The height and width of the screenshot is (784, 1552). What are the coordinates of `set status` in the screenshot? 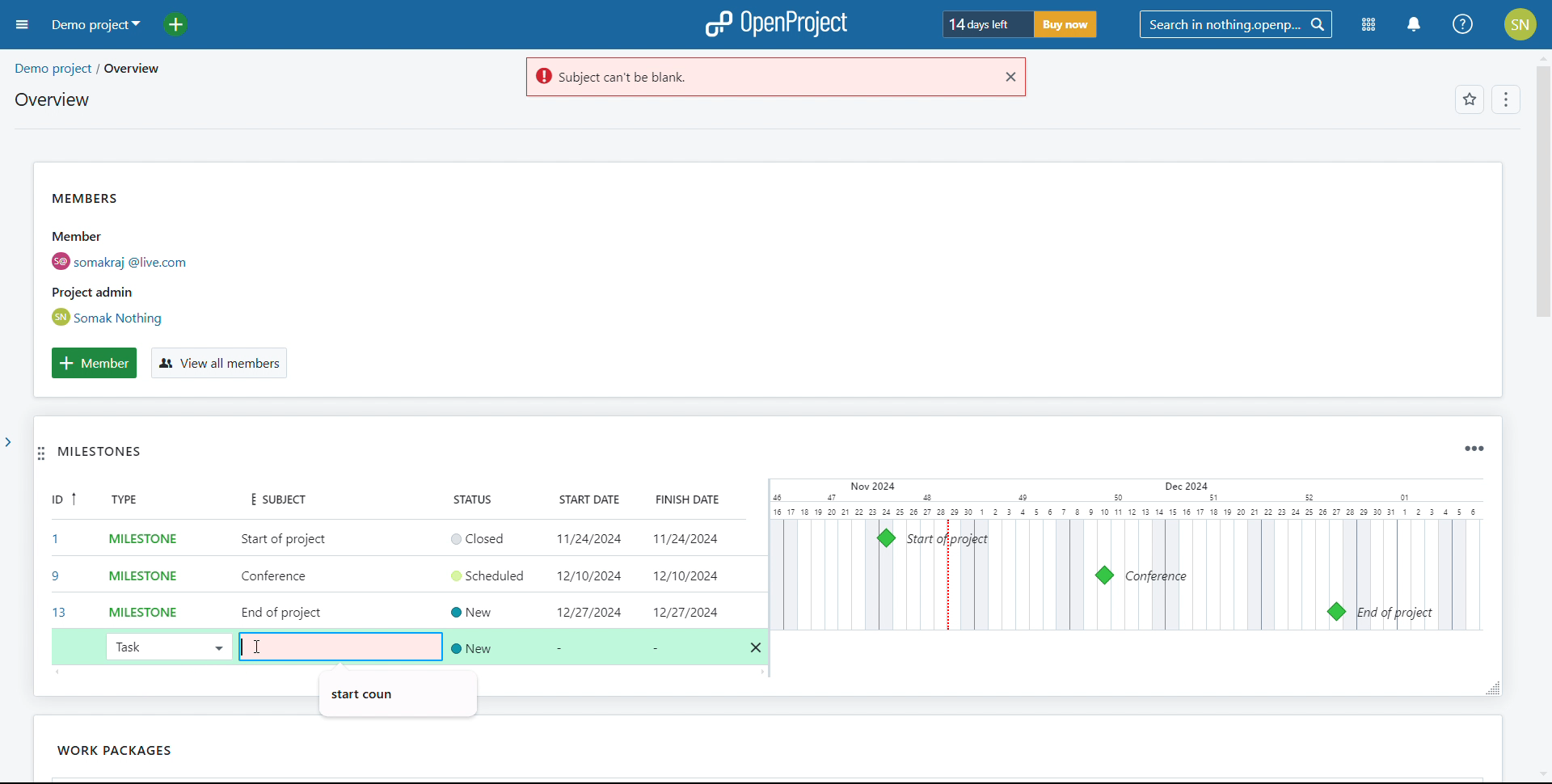 It's located at (492, 589).